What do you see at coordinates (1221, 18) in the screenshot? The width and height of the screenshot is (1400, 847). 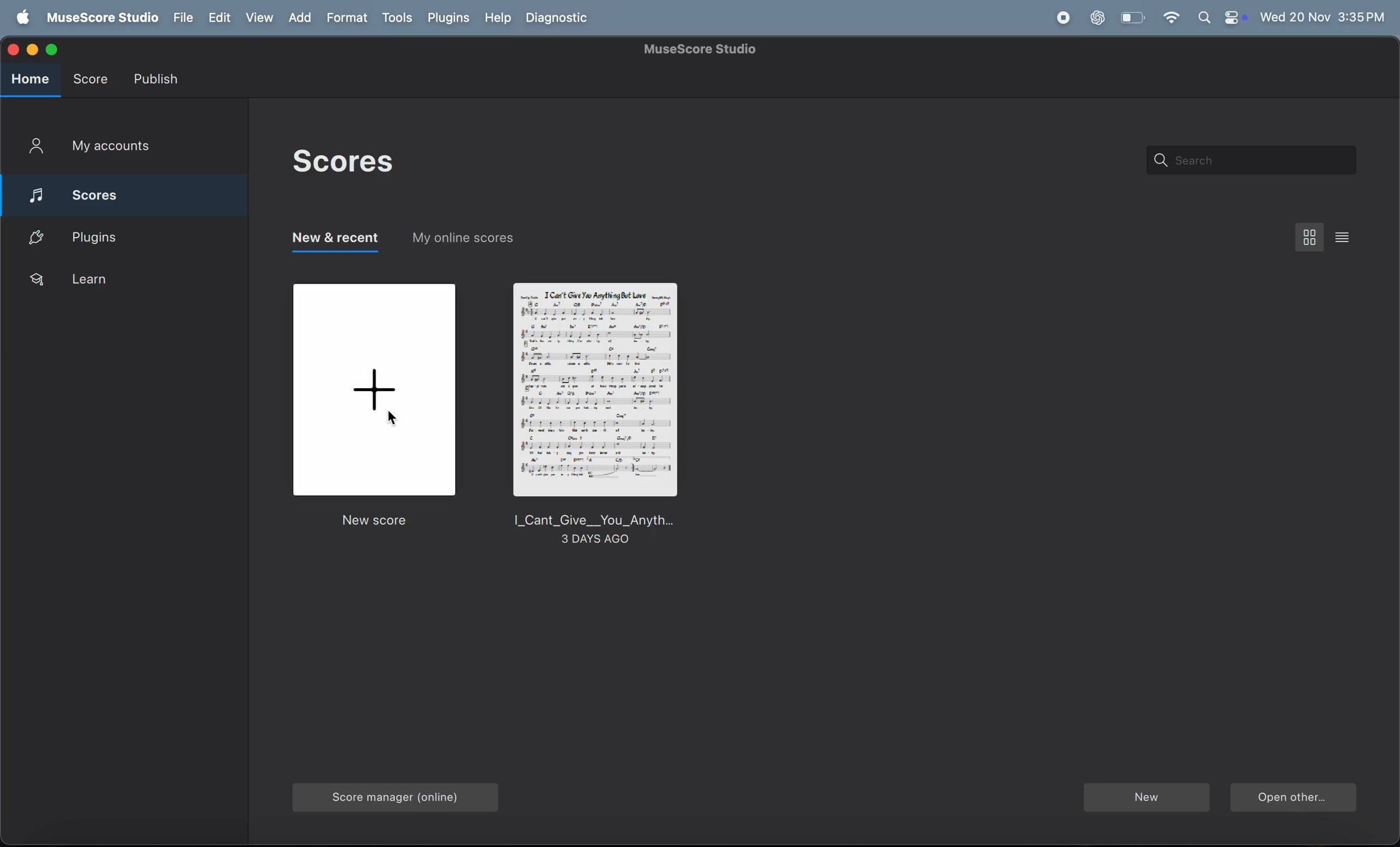 I see `apple widgets` at bounding box center [1221, 18].